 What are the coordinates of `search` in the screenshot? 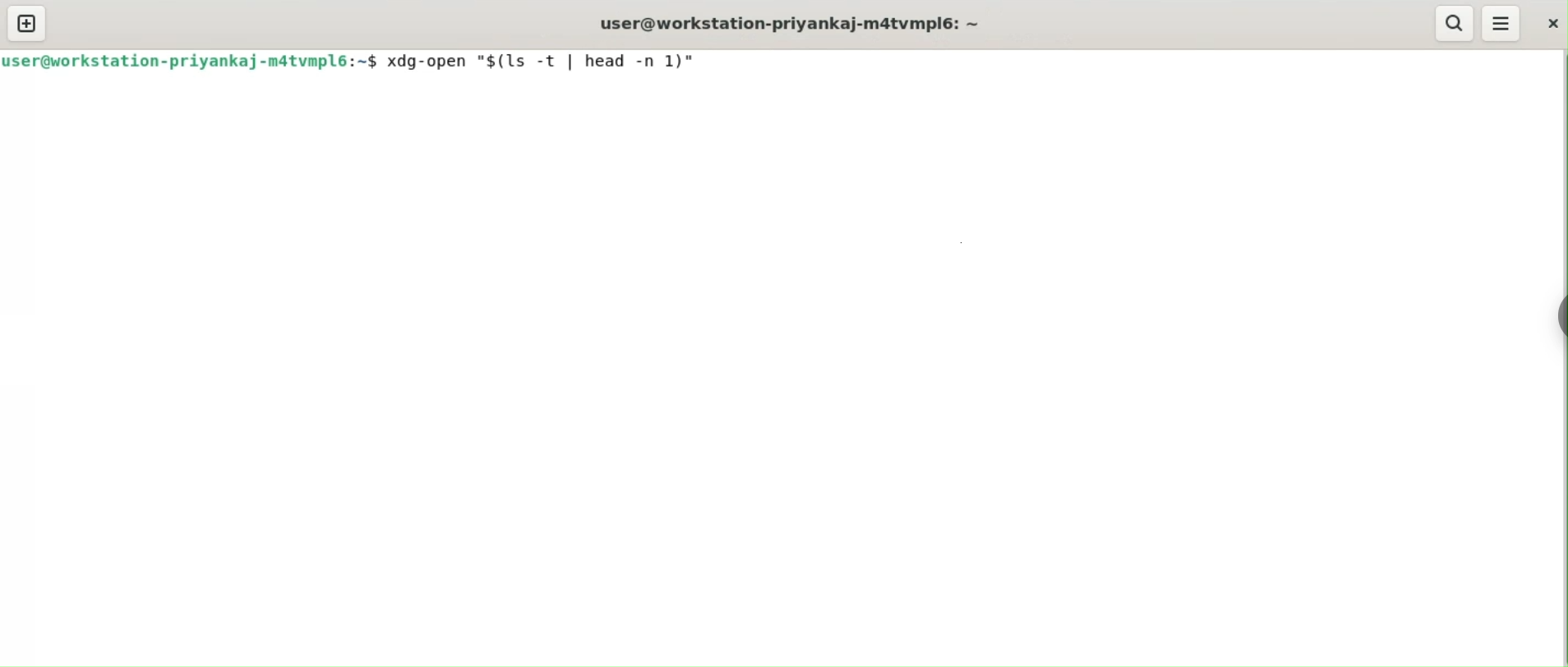 It's located at (1453, 23).